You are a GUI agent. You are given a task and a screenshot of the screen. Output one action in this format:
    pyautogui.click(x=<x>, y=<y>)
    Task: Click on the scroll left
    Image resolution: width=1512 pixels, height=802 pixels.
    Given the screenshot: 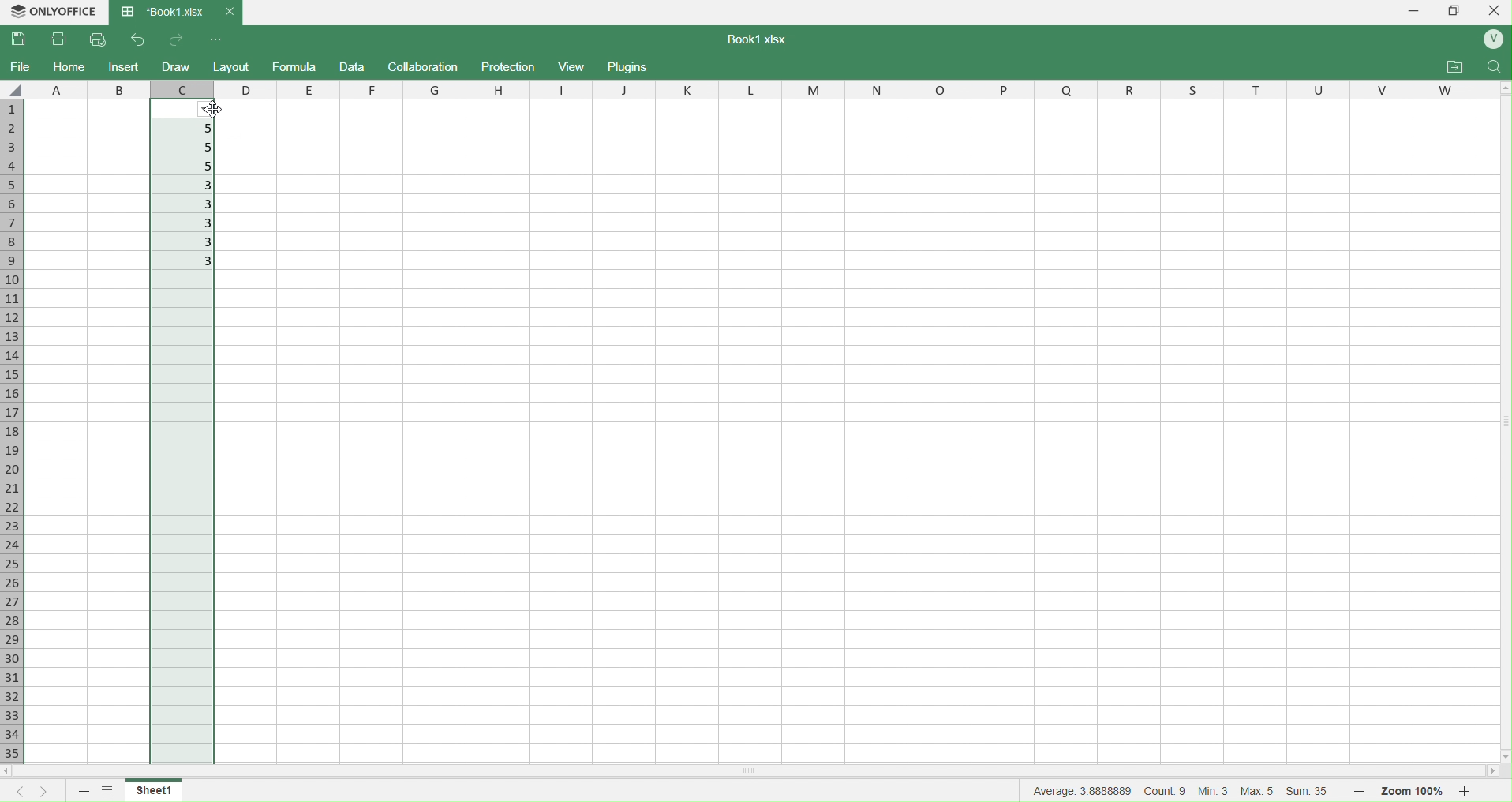 What is the action you would take?
    pyautogui.click(x=19, y=773)
    